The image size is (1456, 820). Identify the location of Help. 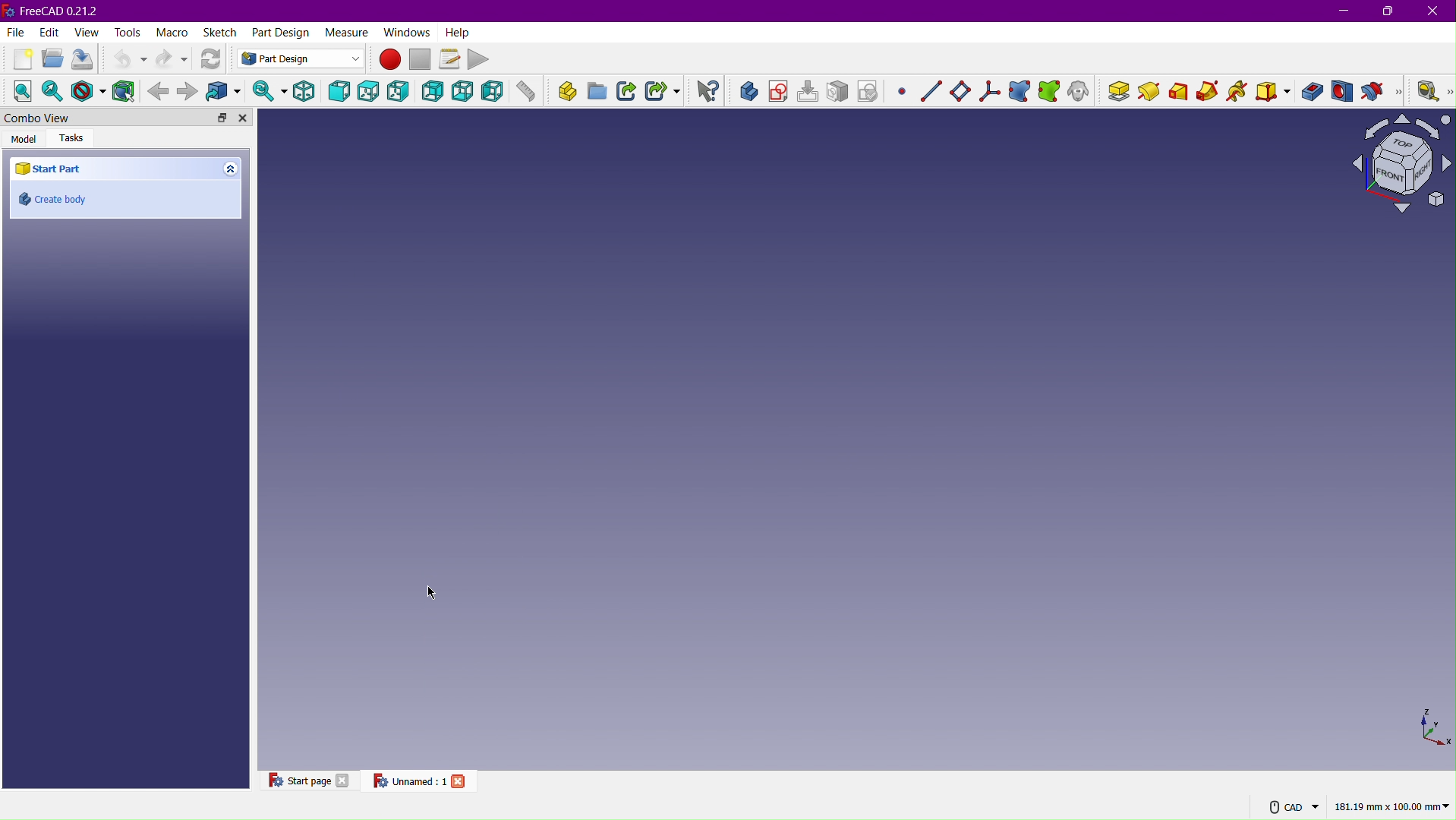
(458, 32).